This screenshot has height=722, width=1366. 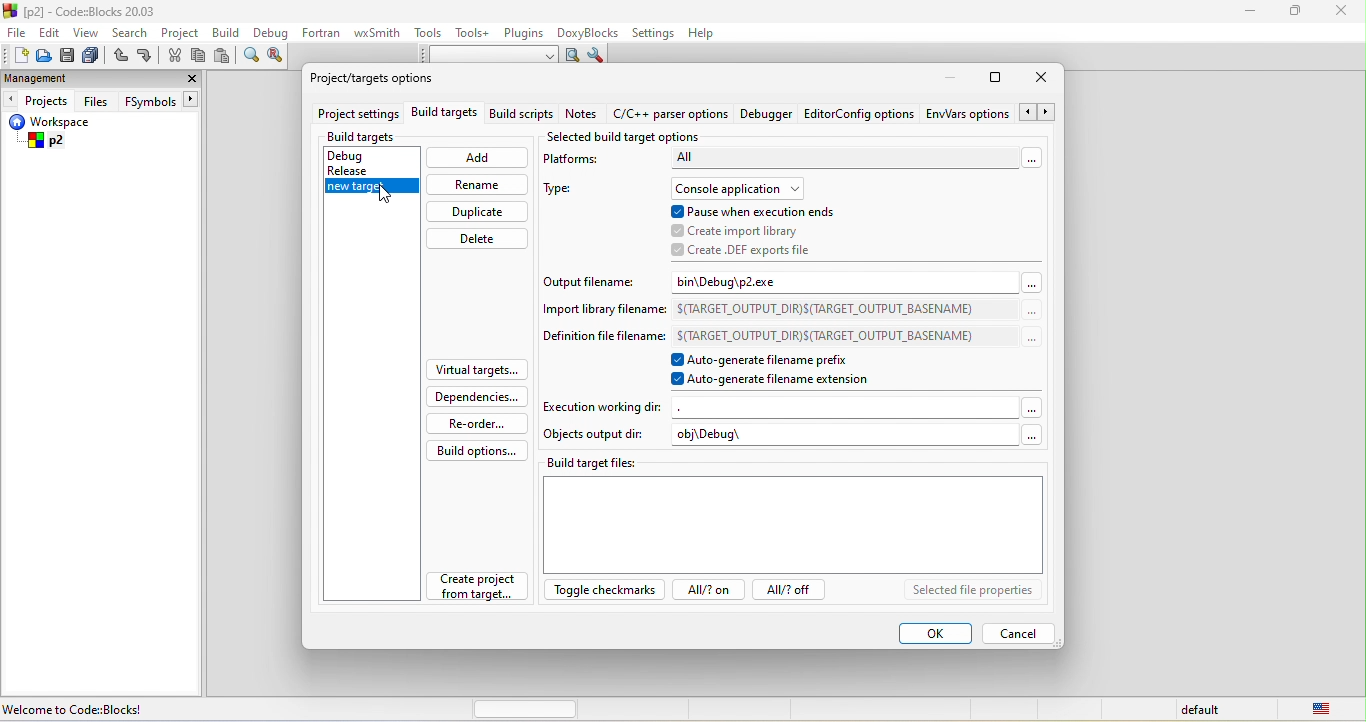 What do you see at coordinates (68, 55) in the screenshot?
I see `save` at bounding box center [68, 55].